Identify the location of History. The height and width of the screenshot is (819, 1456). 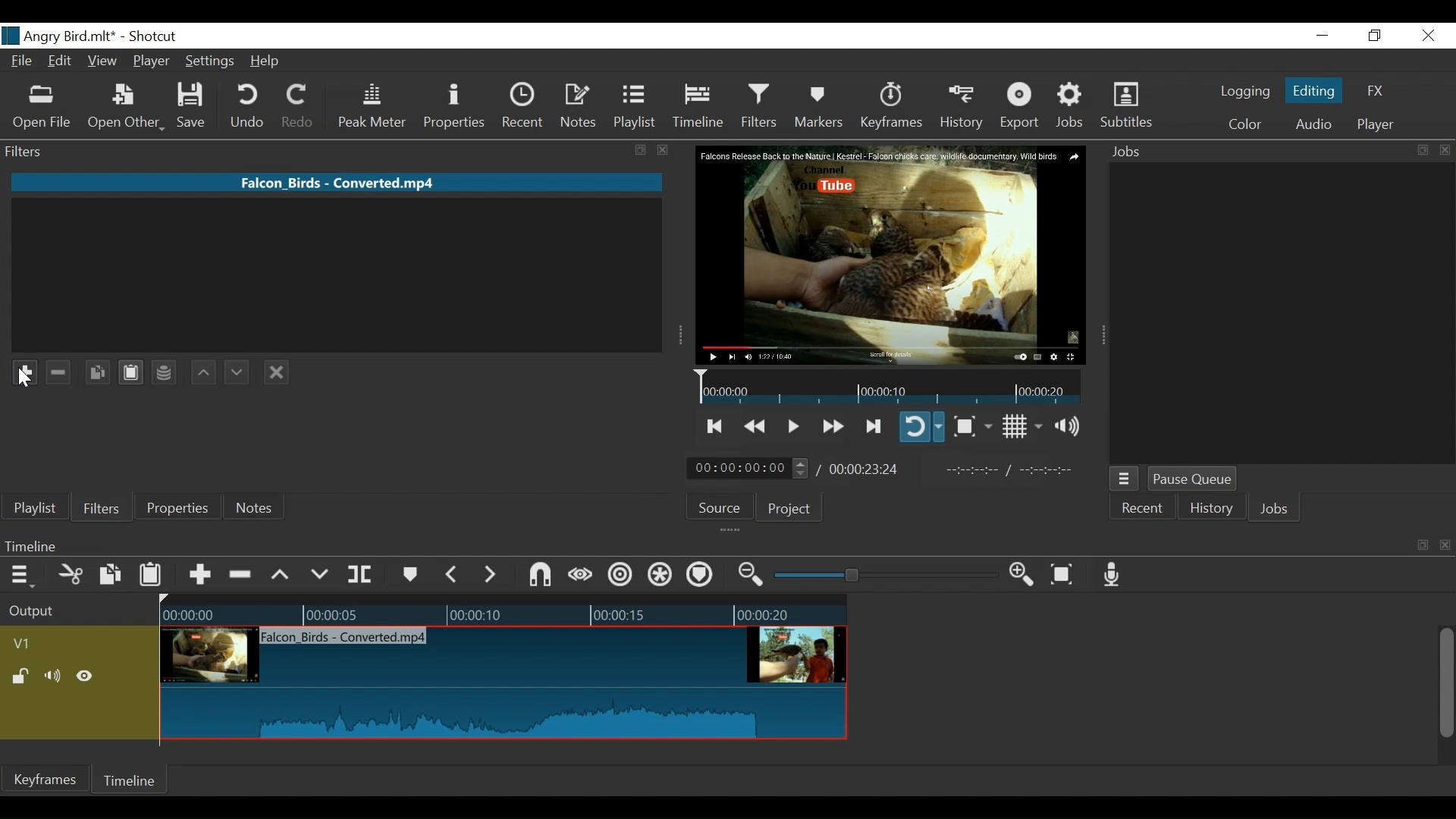
(1212, 510).